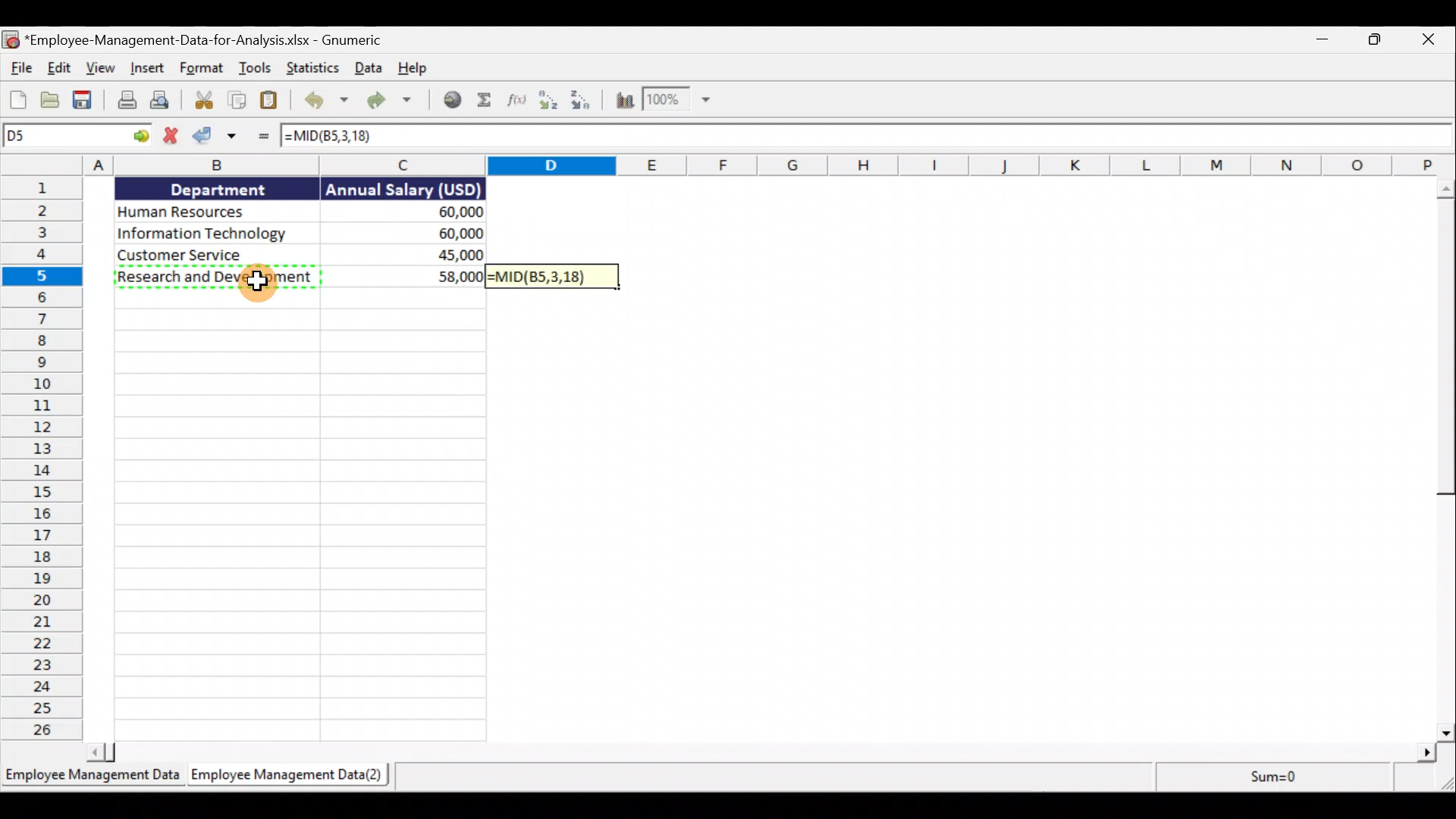 Image resolution: width=1456 pixels, height=819 pixels. I want to click on Accept change, so click(215, 137).